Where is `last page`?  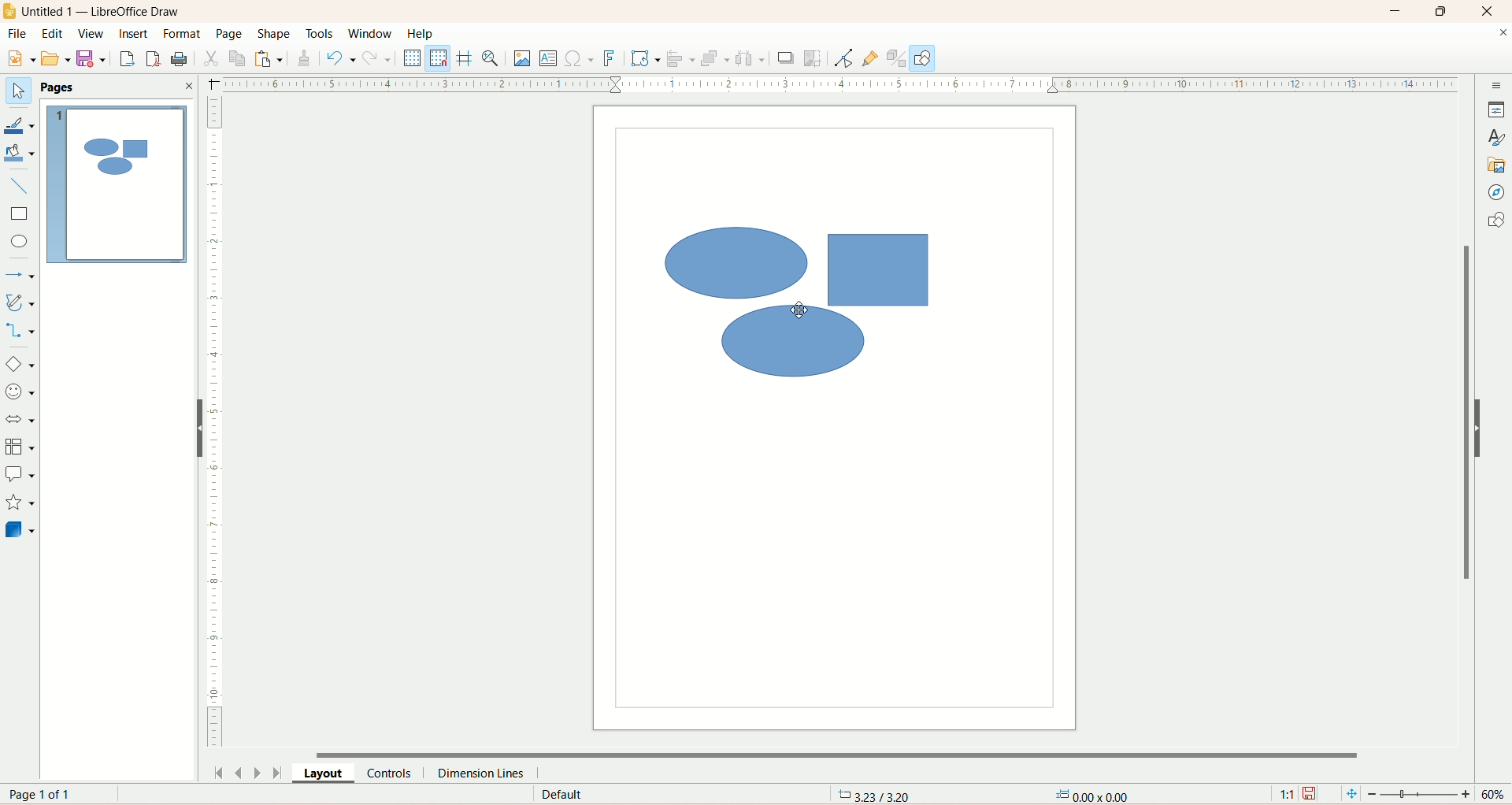
last page is located at coordinates (281, 772).